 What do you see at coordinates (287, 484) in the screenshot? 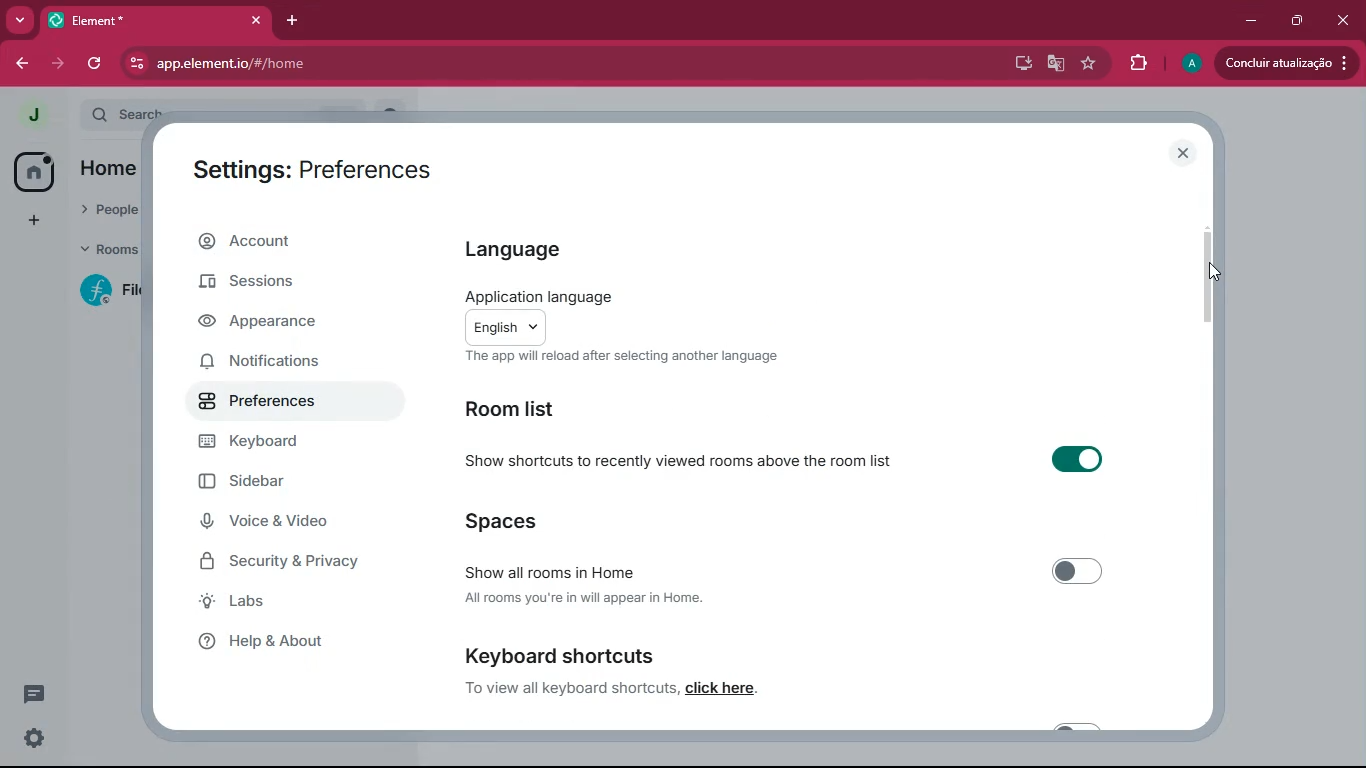
I see `sidebar` at bounding box center [287, 484].